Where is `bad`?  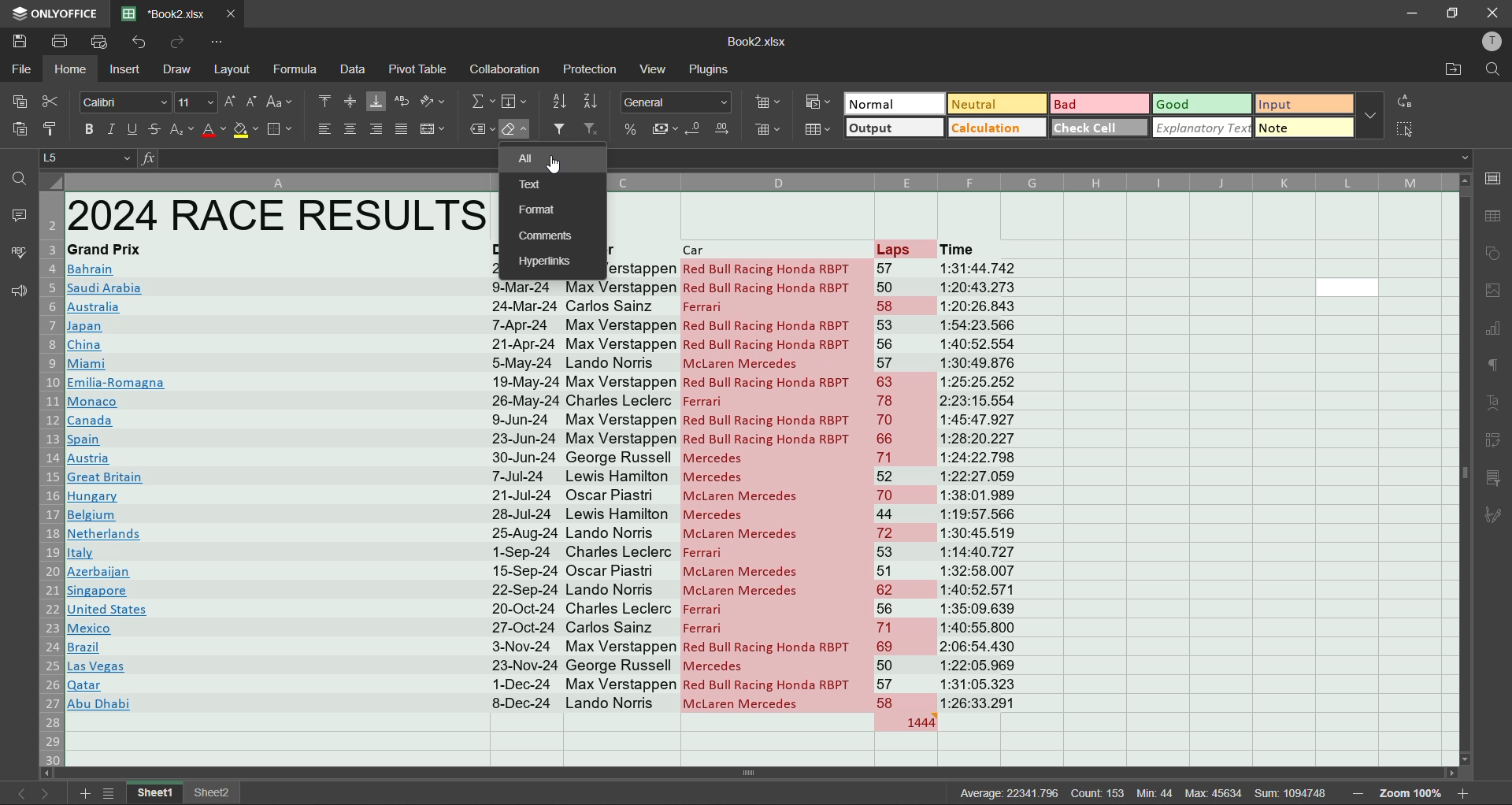
bad is located at coordinates (1099, 103).